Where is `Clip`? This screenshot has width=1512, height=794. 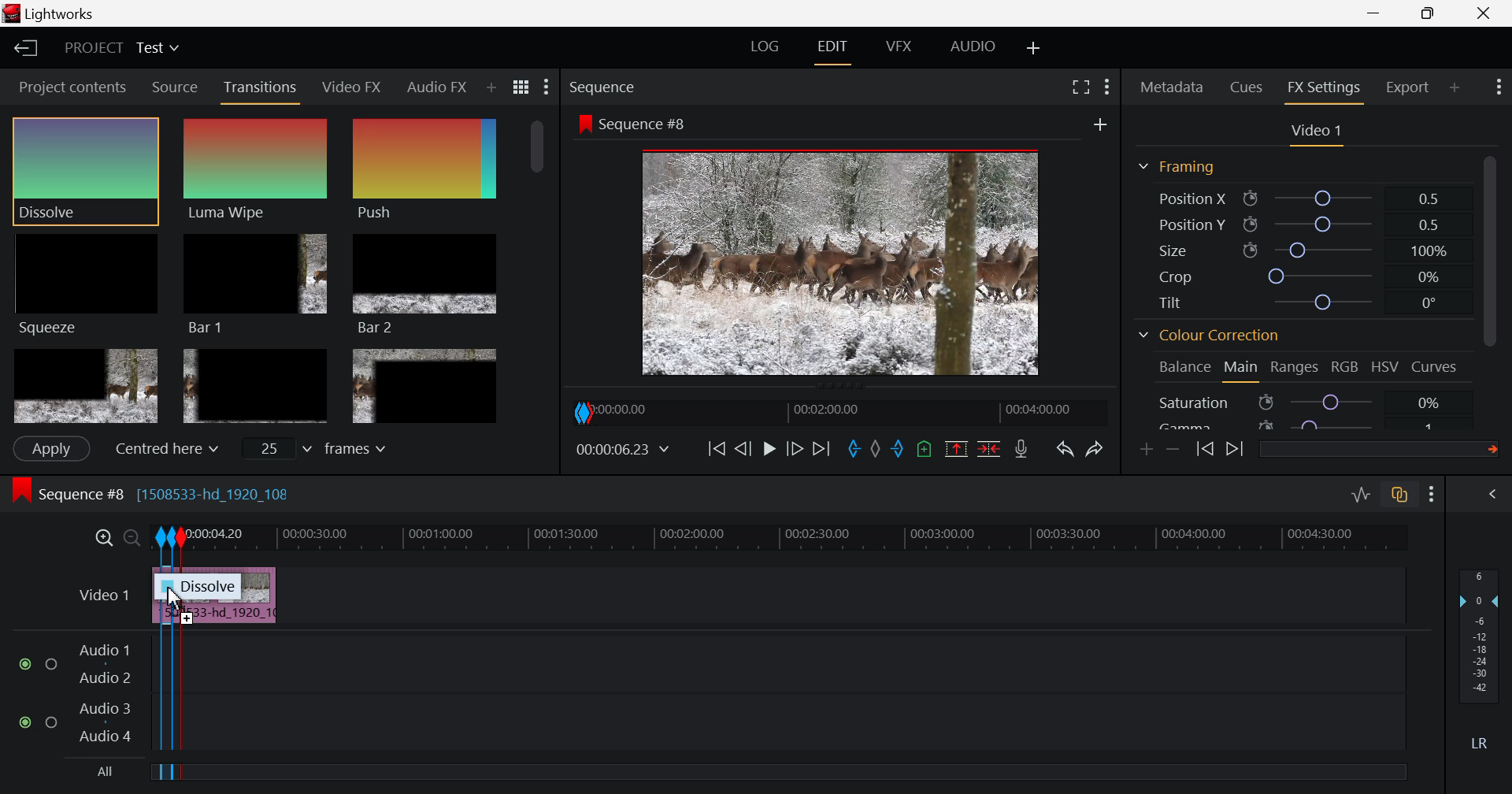 Clip is located at coordinates (246, 596).